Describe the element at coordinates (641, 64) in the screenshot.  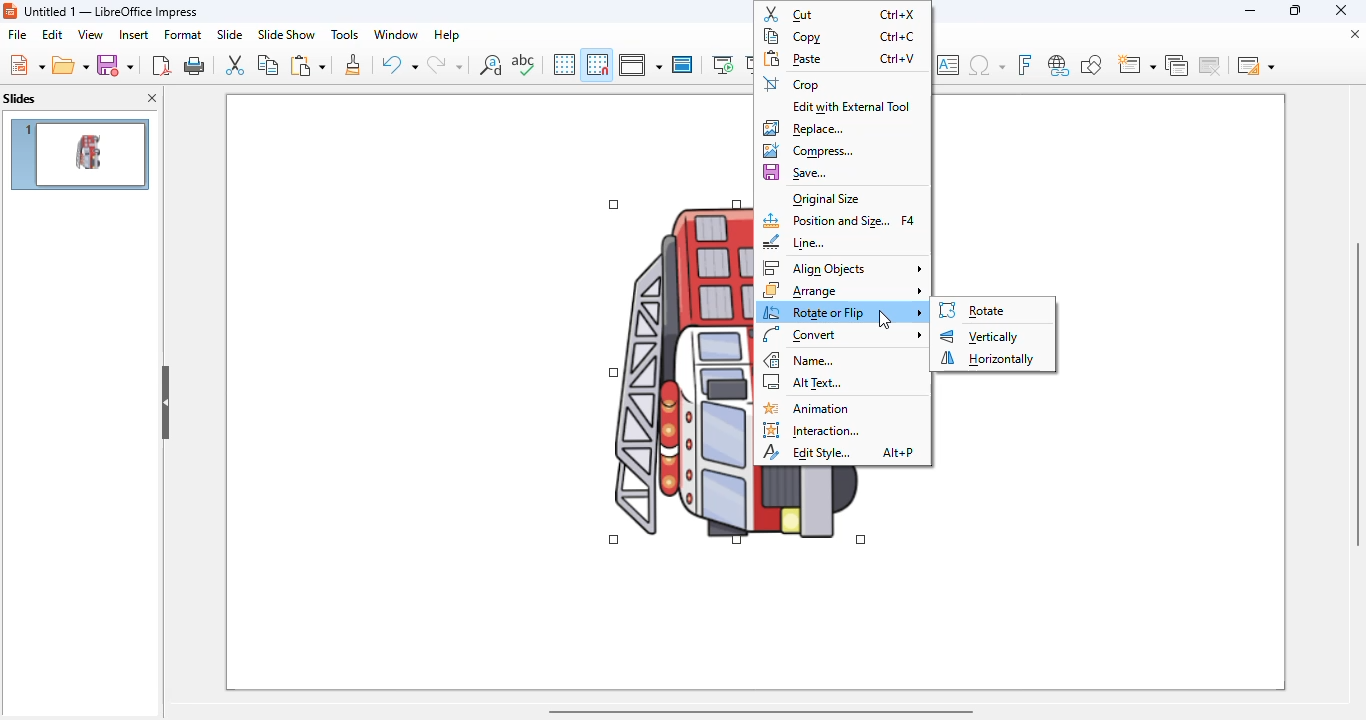
I see `display views` at that location.